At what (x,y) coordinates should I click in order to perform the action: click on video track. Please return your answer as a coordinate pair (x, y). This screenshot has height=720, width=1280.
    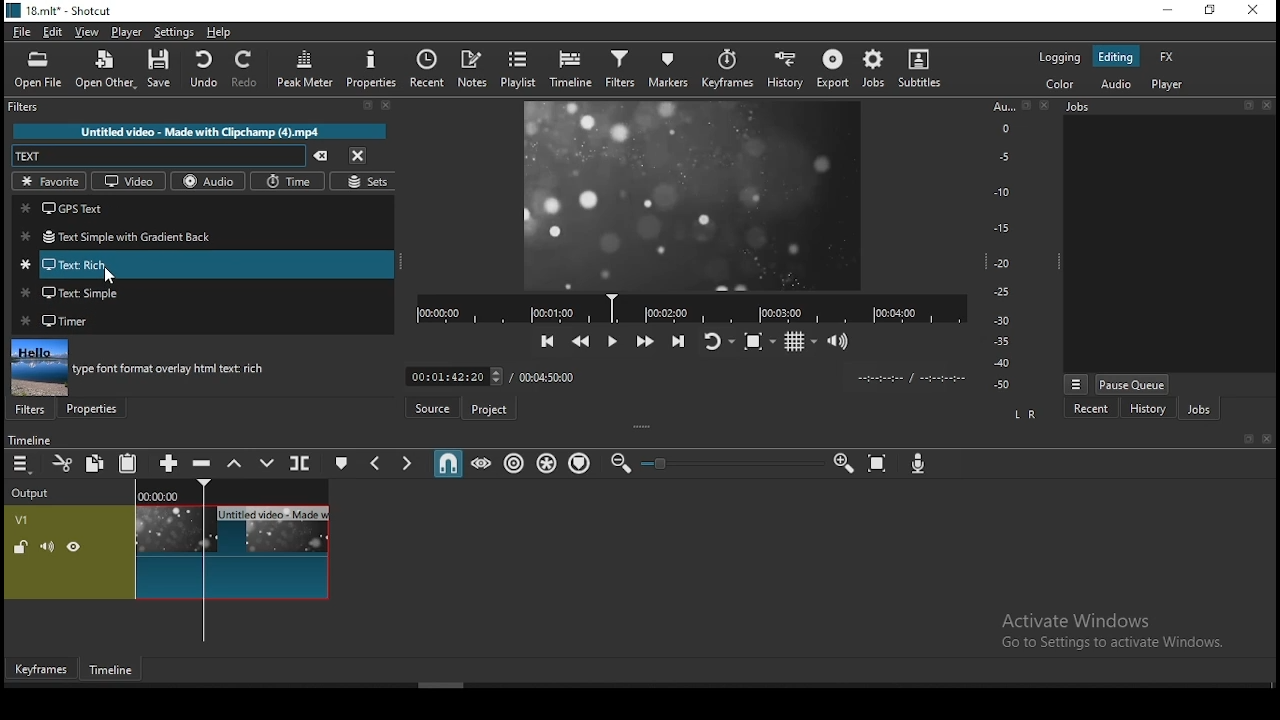
    Looking at the image, I should click on (167, 552).